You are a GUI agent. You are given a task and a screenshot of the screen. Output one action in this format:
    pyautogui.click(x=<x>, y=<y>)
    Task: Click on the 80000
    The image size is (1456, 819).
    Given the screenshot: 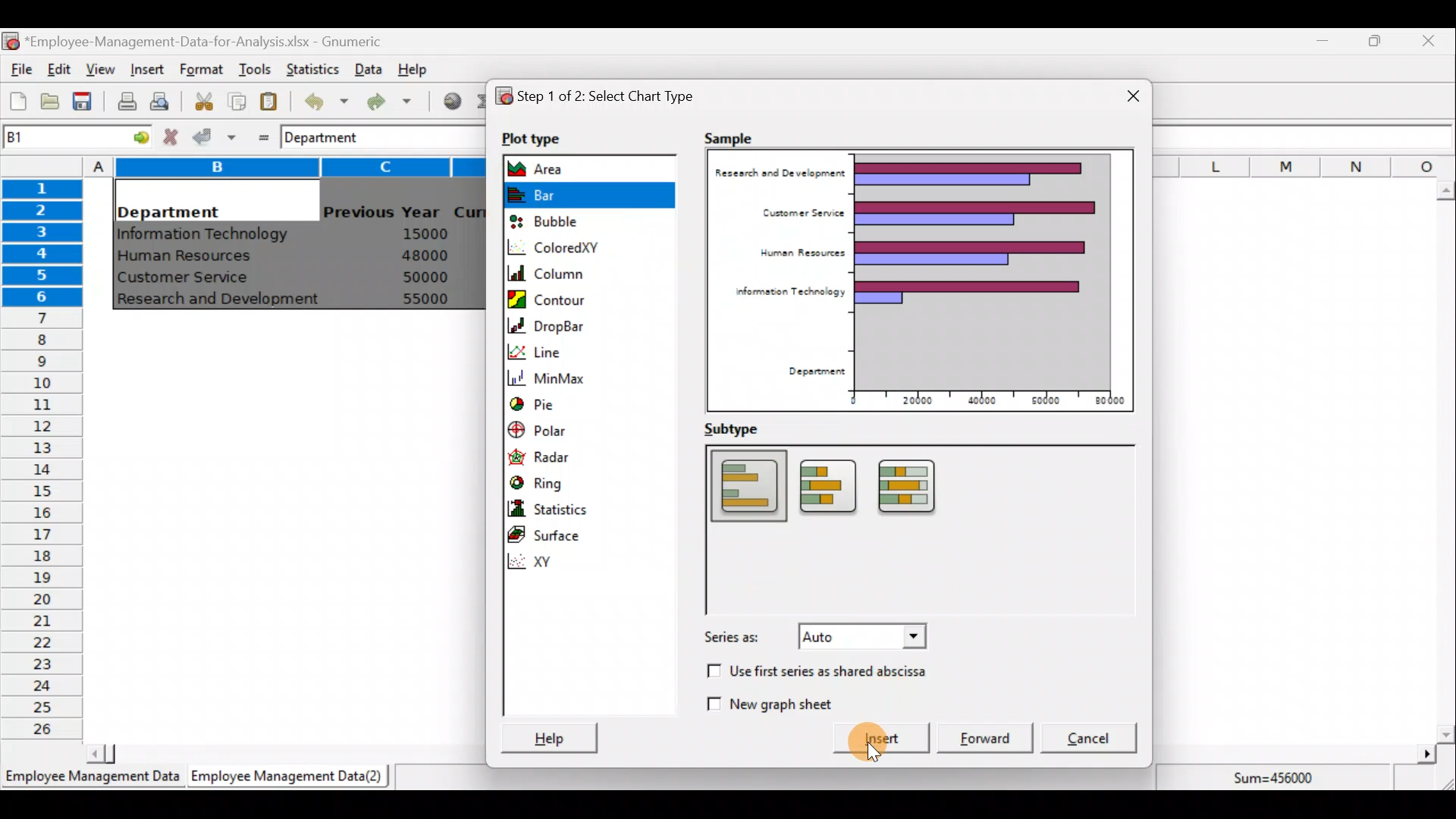 What is the action you would take?
    pyautogui.click(x=1106, y=401)
    